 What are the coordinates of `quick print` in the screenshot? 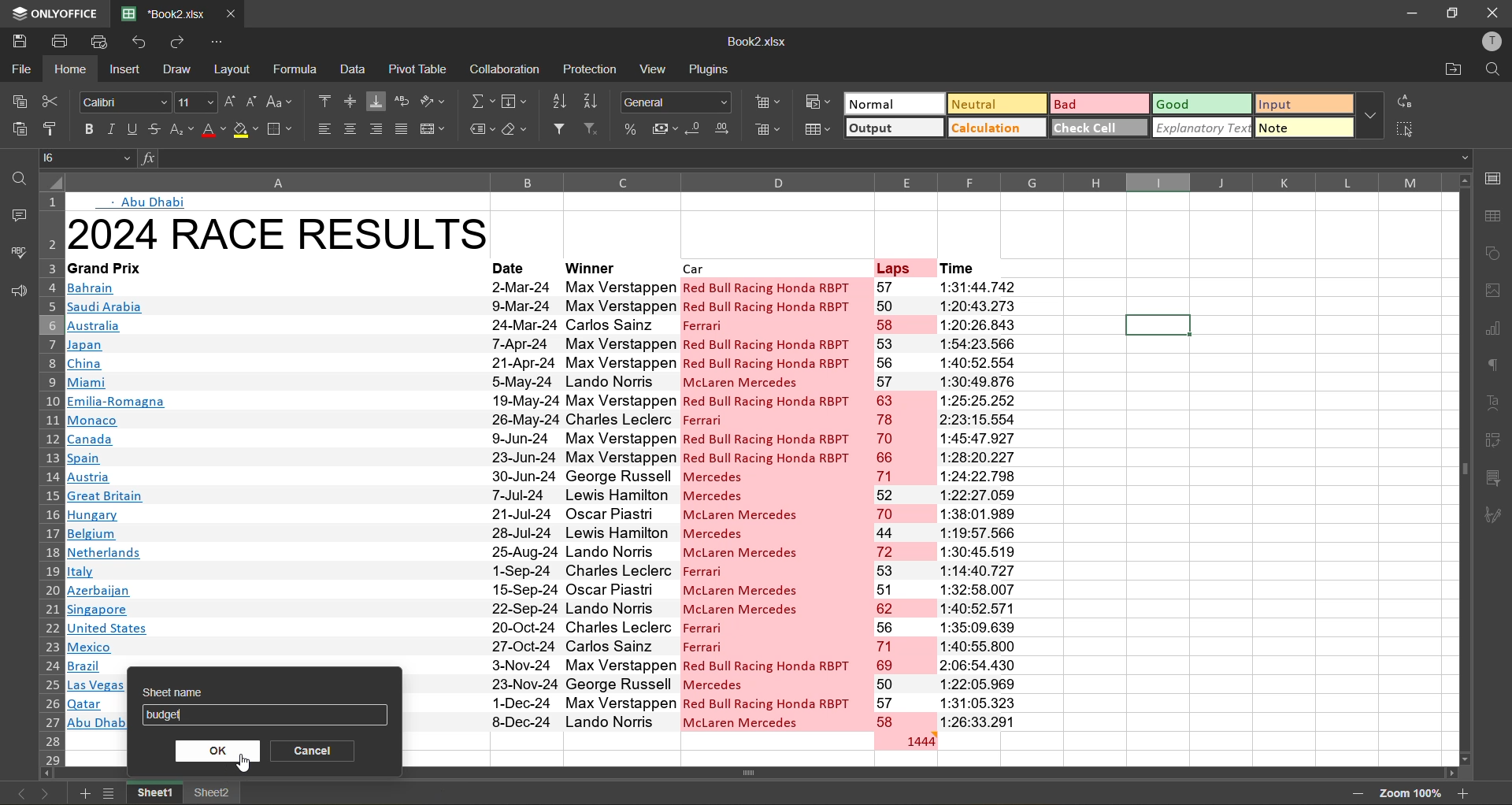 It's located at (104, 43).